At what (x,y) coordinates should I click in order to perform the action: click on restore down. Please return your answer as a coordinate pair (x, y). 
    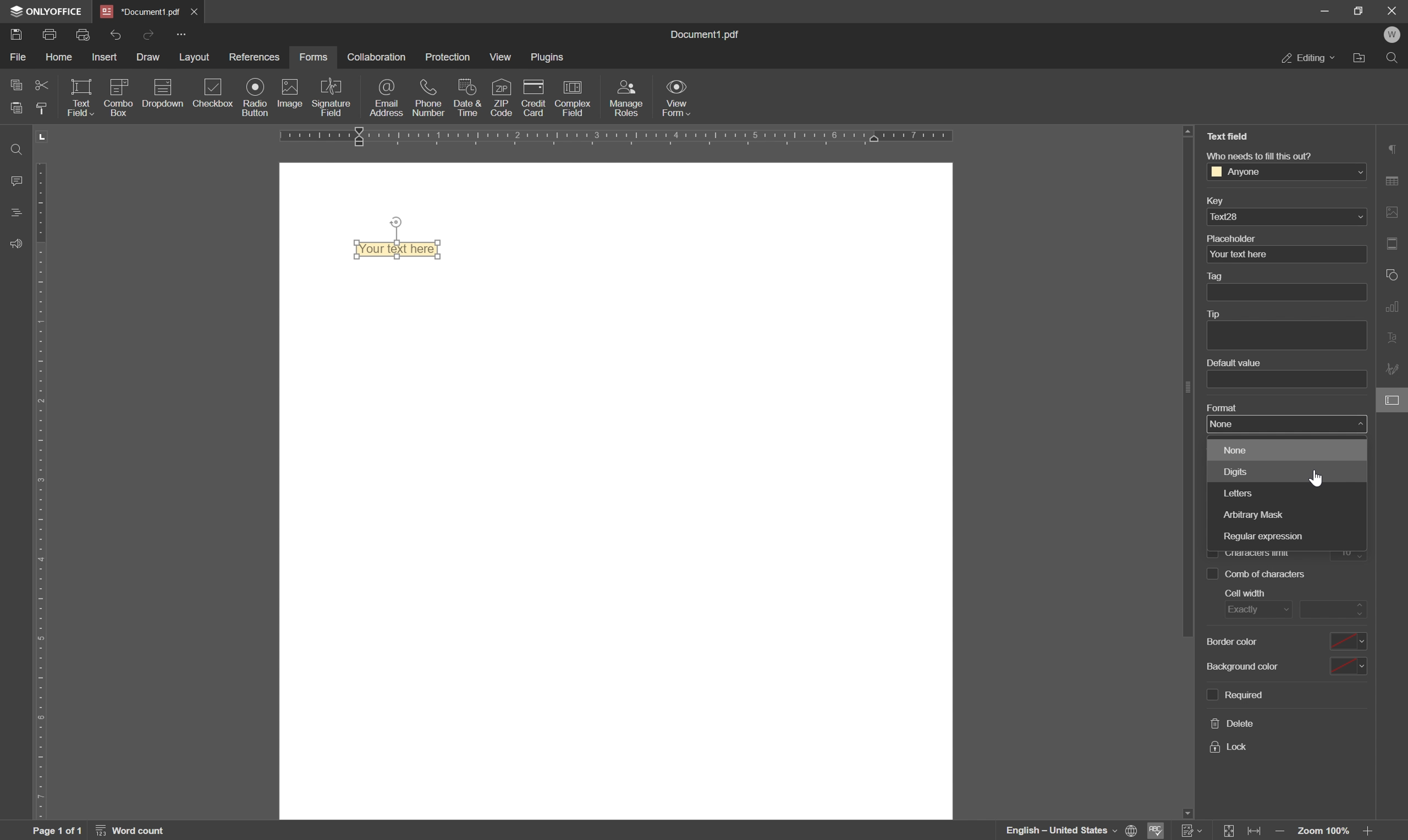
    Looking at the image, I should click on (1359, 10).